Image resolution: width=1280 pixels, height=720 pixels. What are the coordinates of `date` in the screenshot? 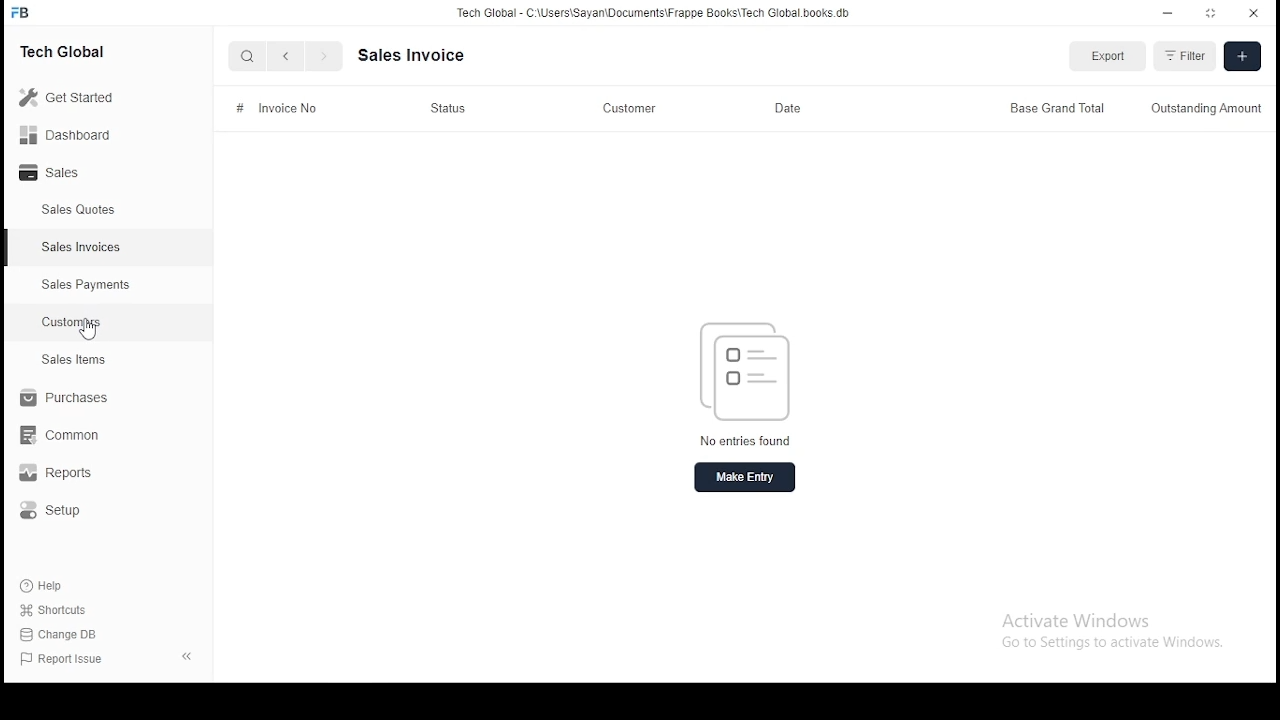 It's located at (787, 107).